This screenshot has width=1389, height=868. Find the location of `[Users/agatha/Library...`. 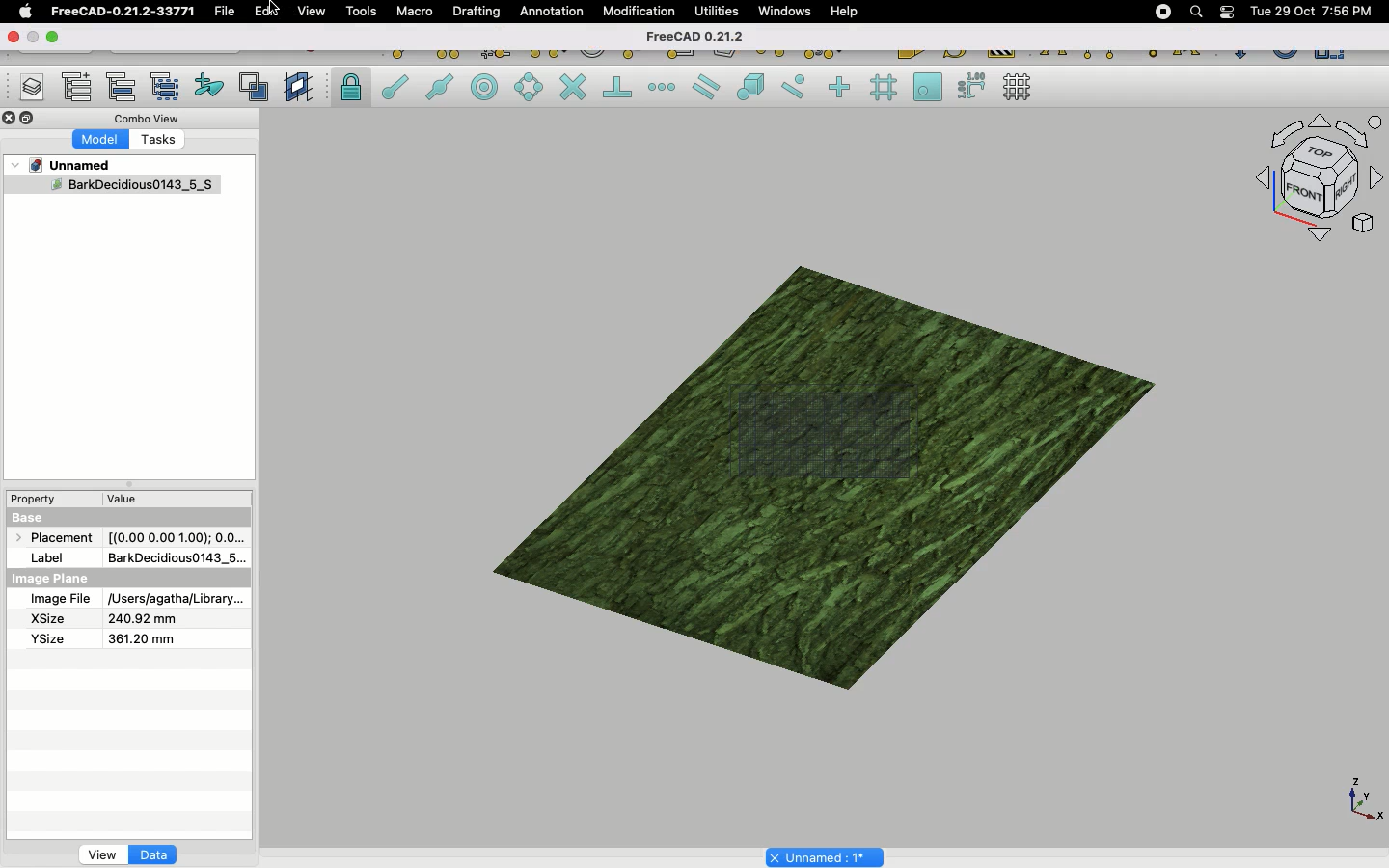

[Users/agatha/Library... is located at coordinates (172, 600).